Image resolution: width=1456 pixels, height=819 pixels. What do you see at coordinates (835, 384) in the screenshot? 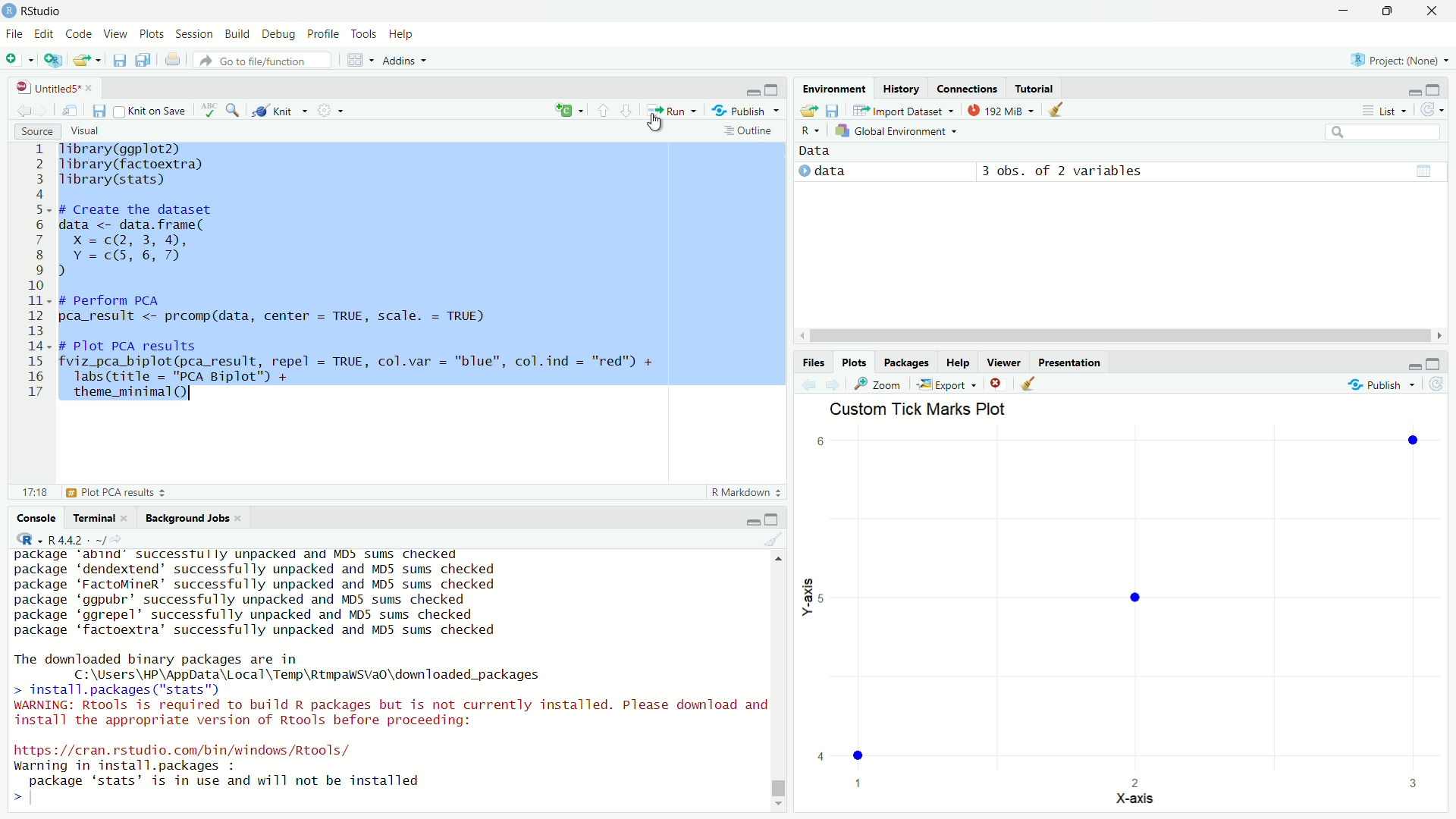
I see `go forward` at bounding box center [835, 384].